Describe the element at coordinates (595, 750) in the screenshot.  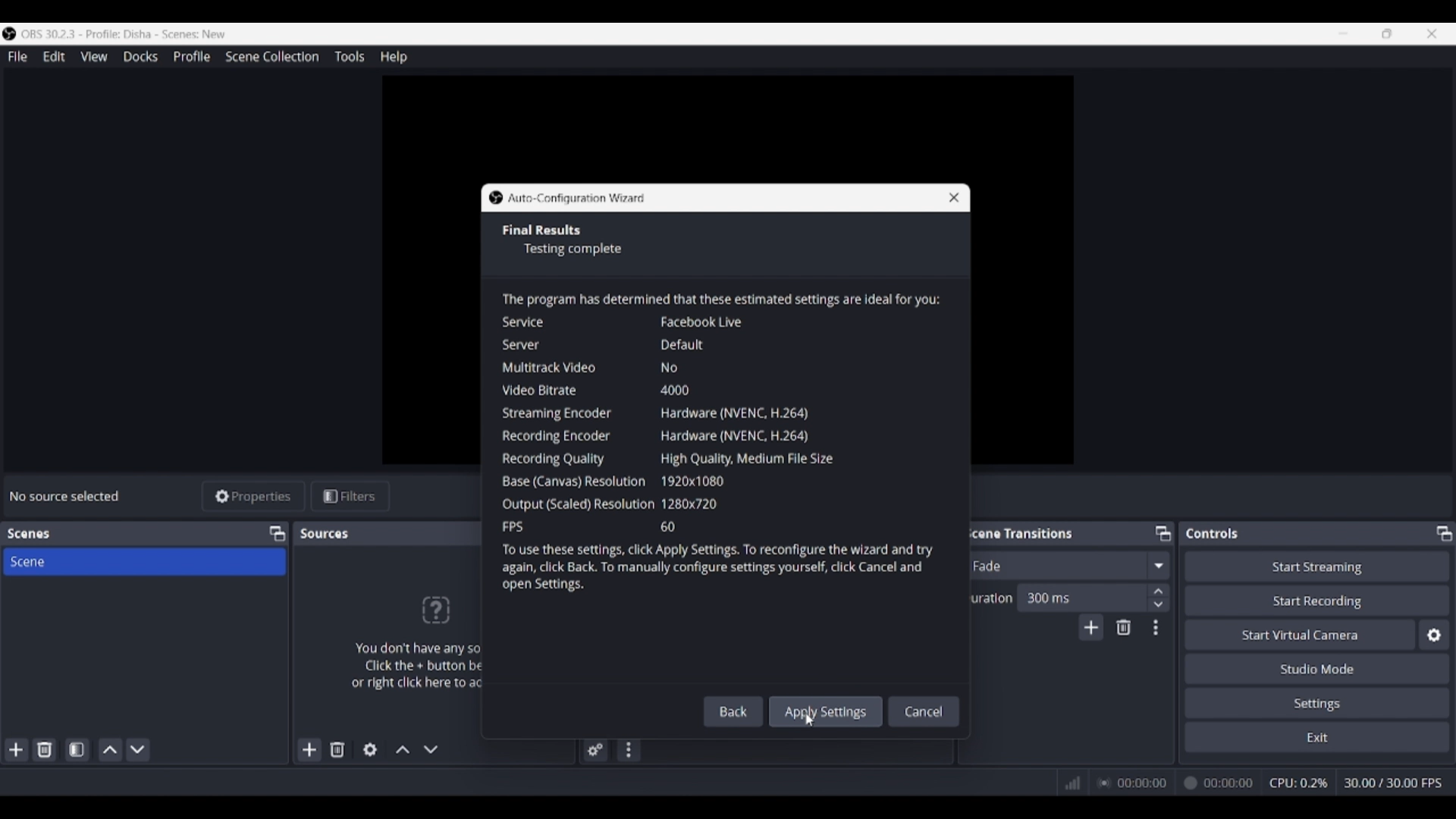
I see `Advanced audio properties` at that location.